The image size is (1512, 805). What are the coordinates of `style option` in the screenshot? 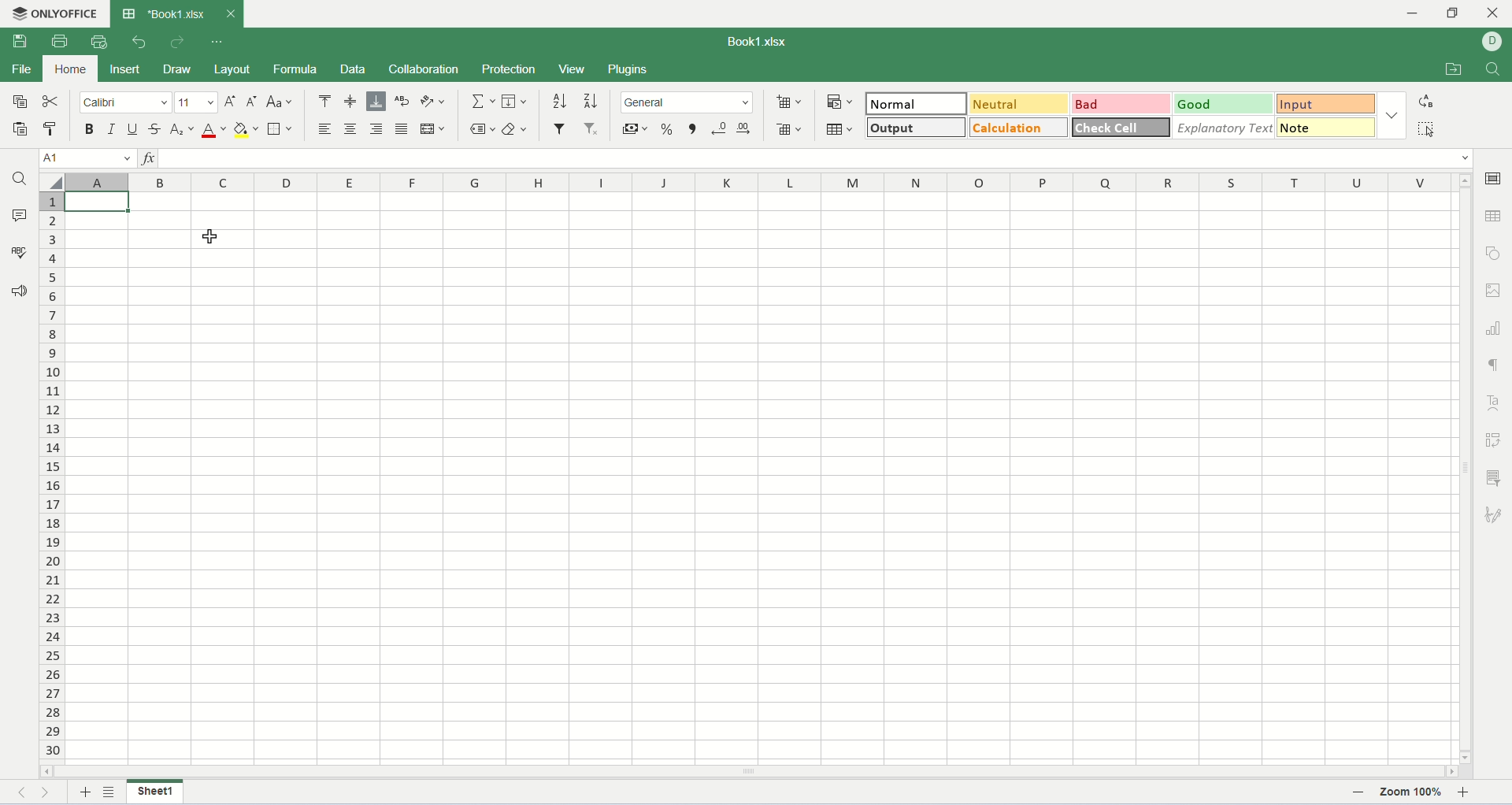 It's located at (1393, 116).